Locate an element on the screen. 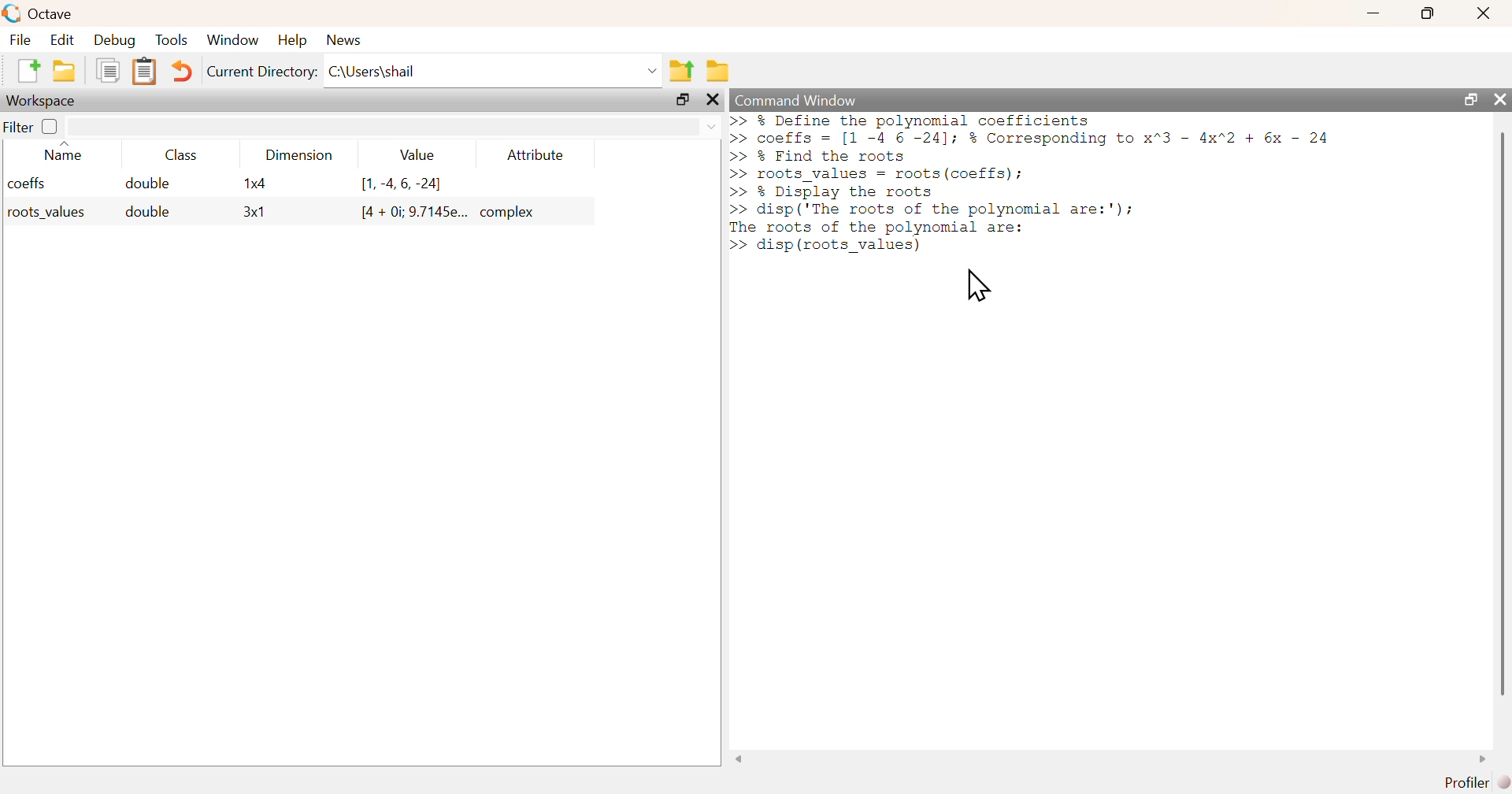  double is located at coordinates (150, 184).